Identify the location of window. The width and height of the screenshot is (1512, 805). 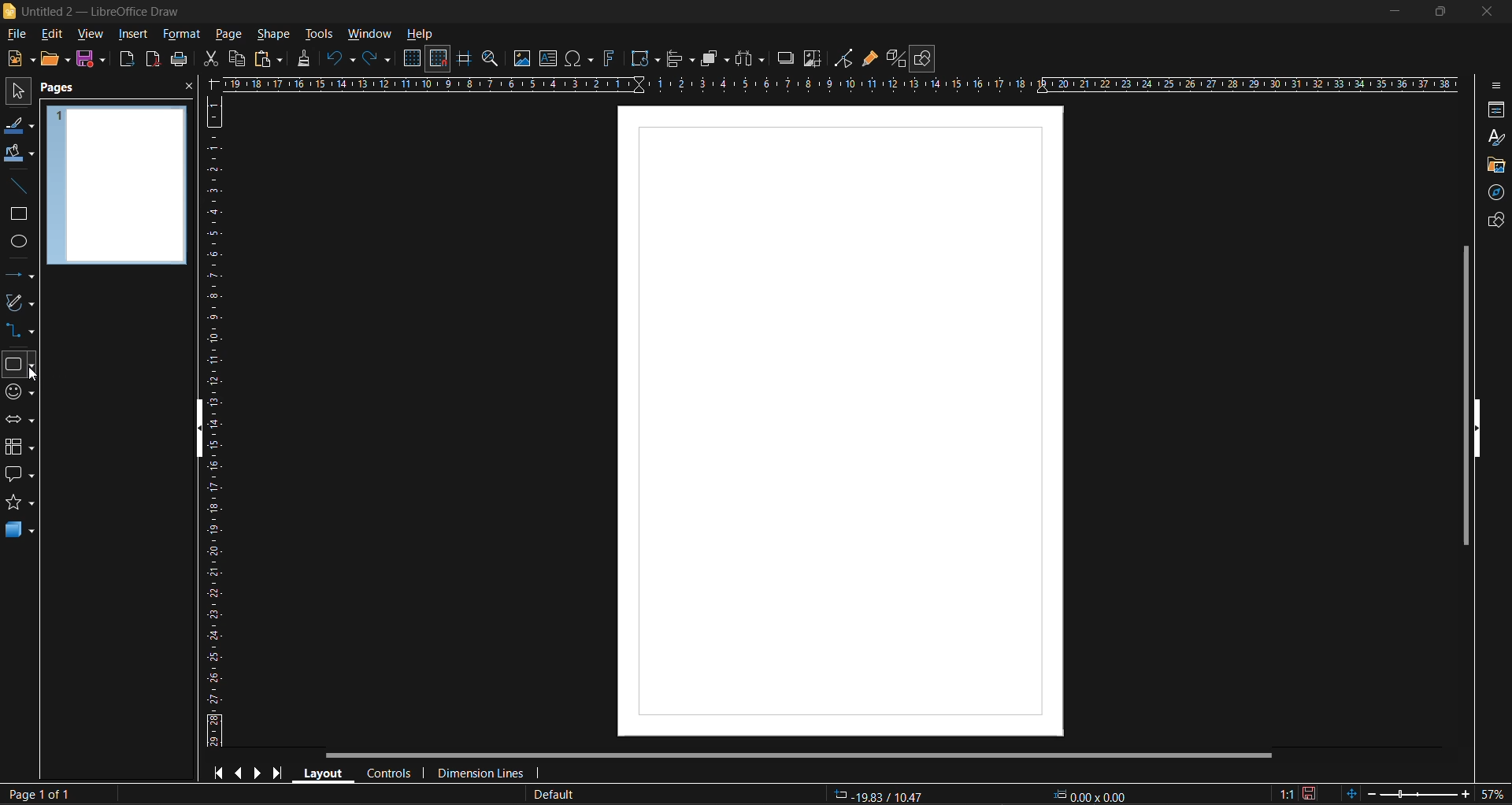
(368, 35).